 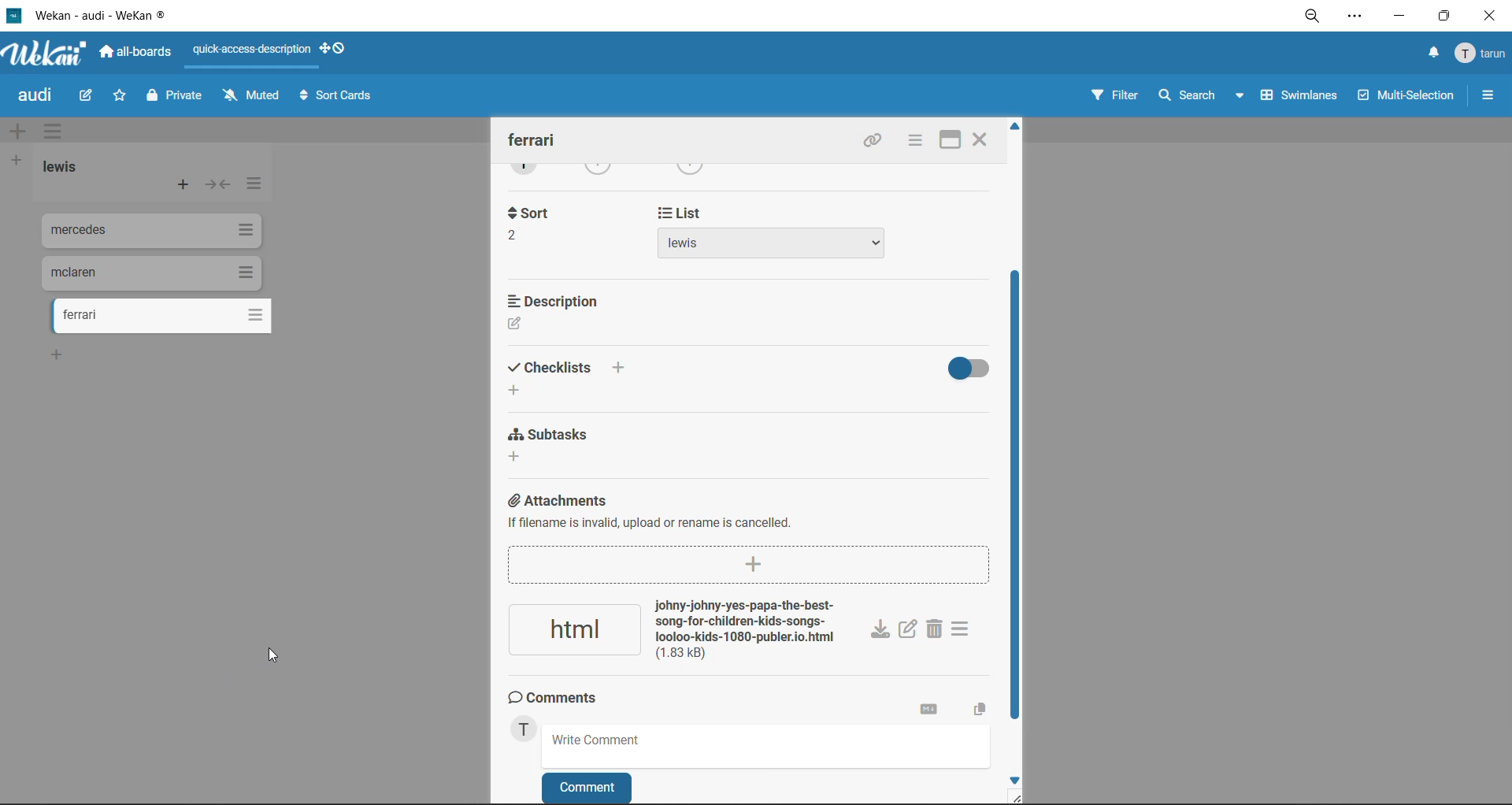 What do you see at coordinates (184, 186) in the screenshot?
I see `add card` at bounding box center [184, 186].